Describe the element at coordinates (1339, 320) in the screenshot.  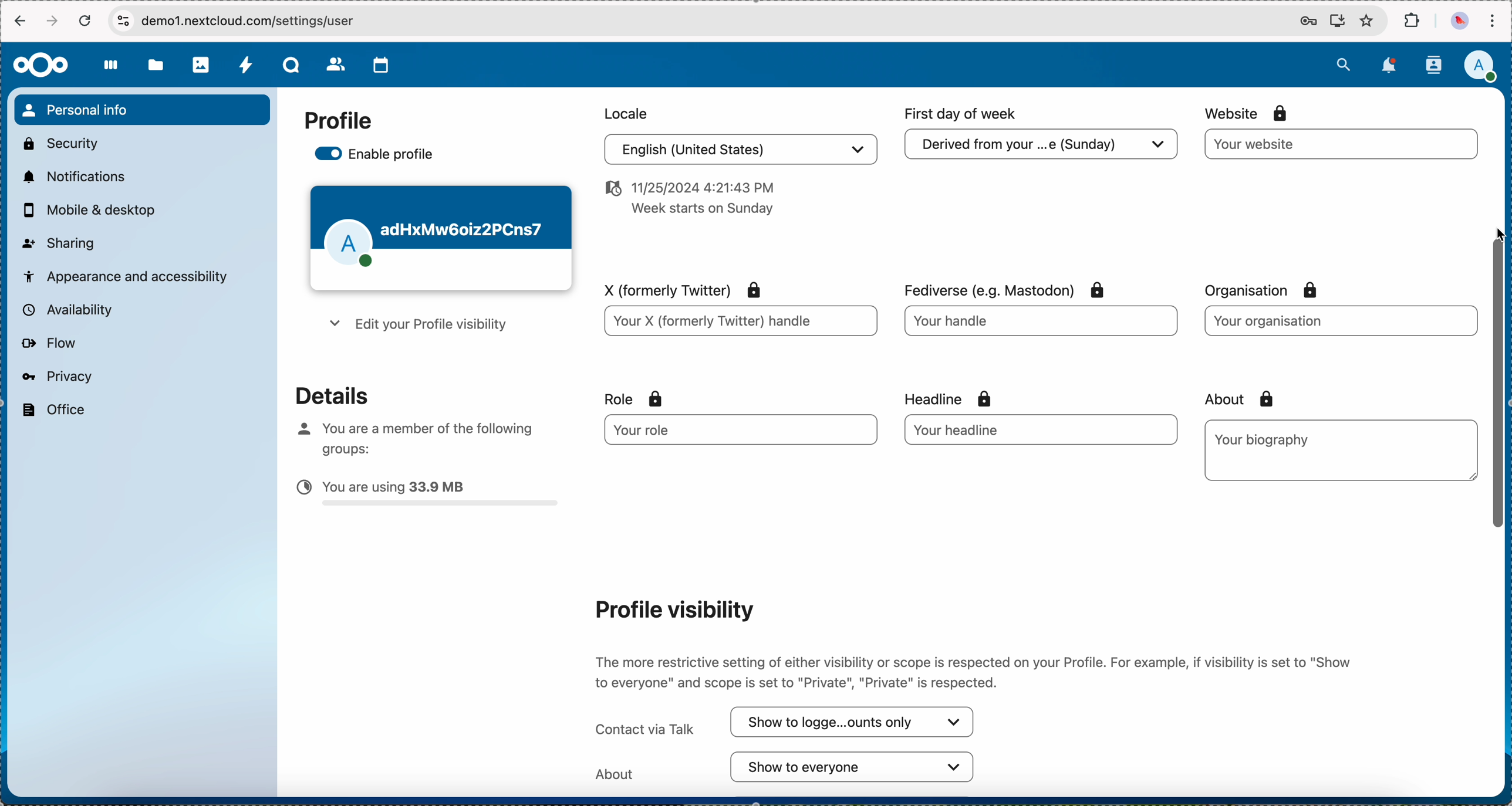
I see `organisation` at that location.